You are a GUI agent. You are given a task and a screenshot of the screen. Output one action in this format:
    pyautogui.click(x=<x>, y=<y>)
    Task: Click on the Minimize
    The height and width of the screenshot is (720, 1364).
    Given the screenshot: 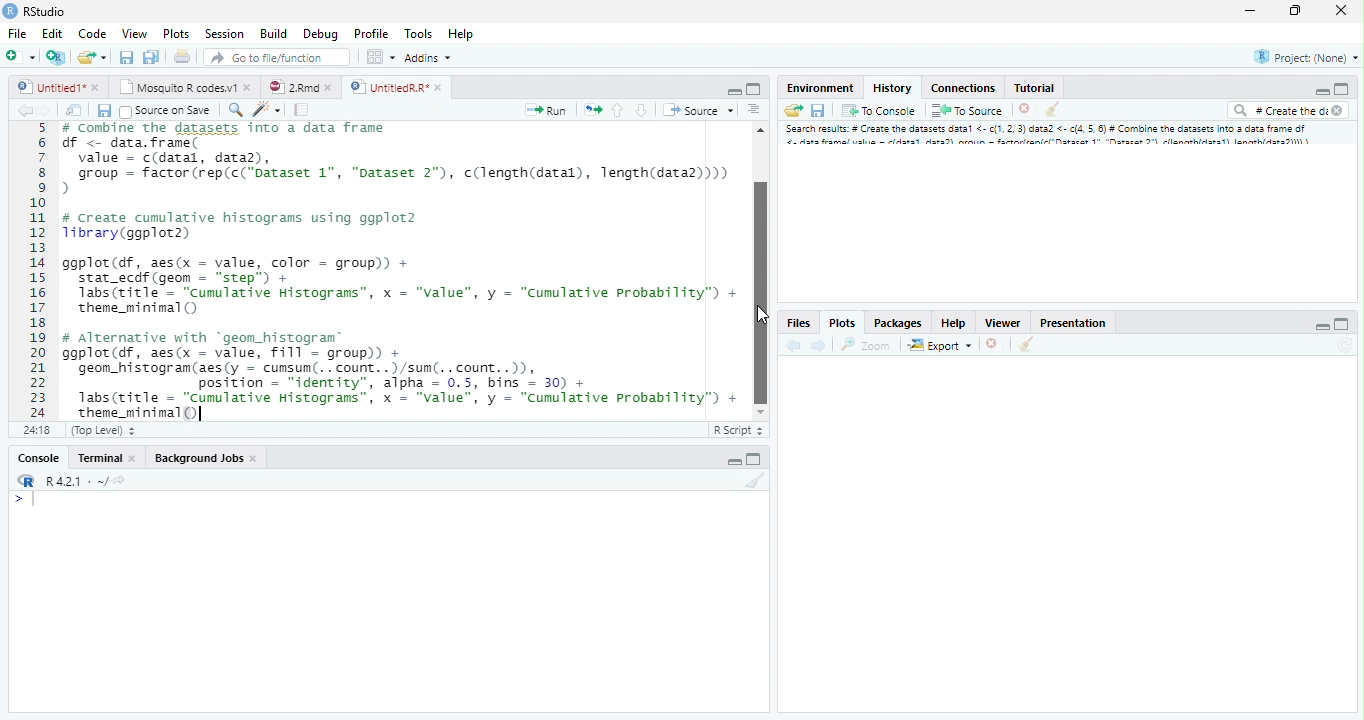 What is the action you would take?
    pyautogui.click(x=1319, y=325)
    